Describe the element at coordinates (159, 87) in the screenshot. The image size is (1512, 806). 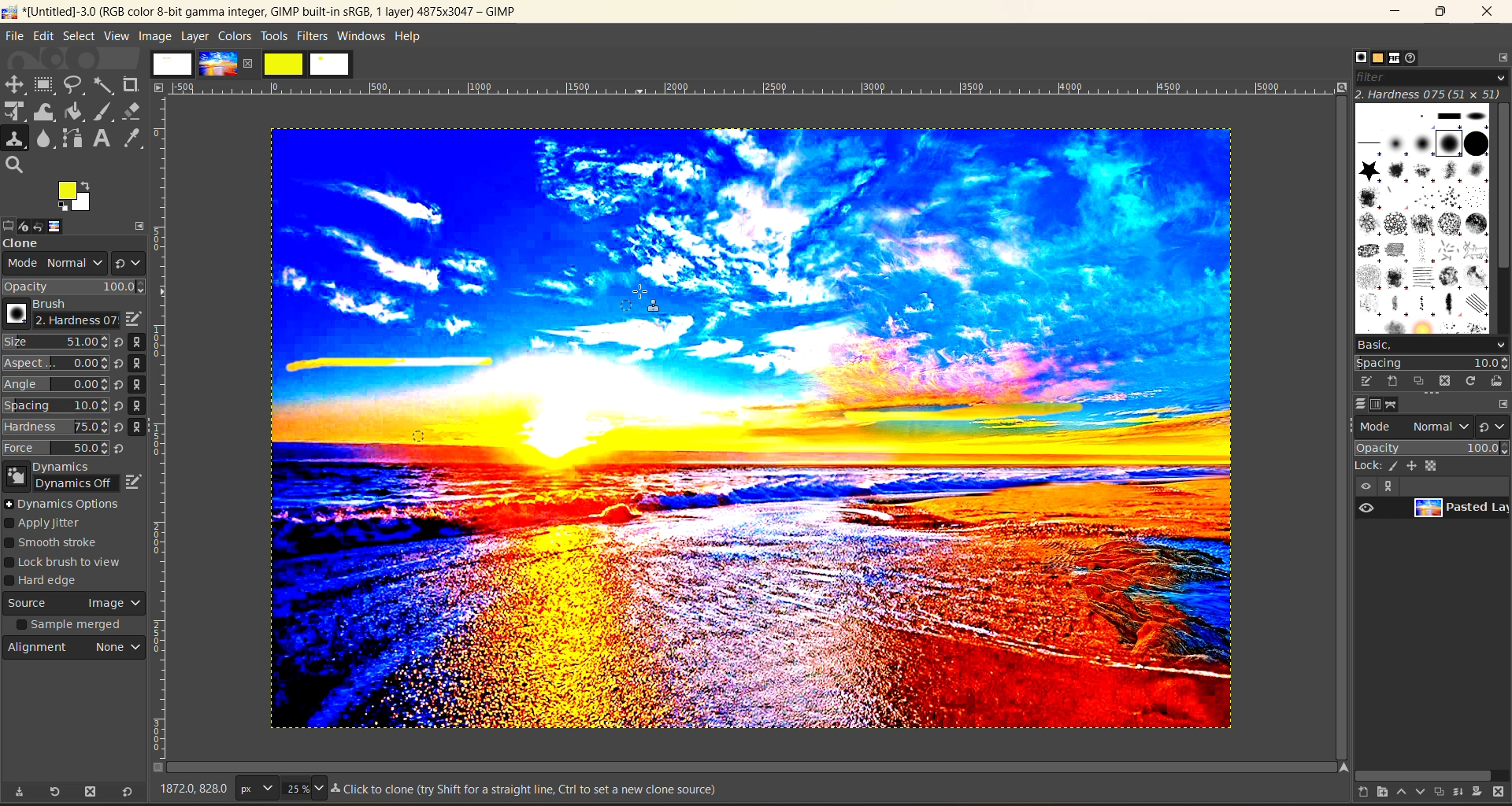
I see `` at that location.